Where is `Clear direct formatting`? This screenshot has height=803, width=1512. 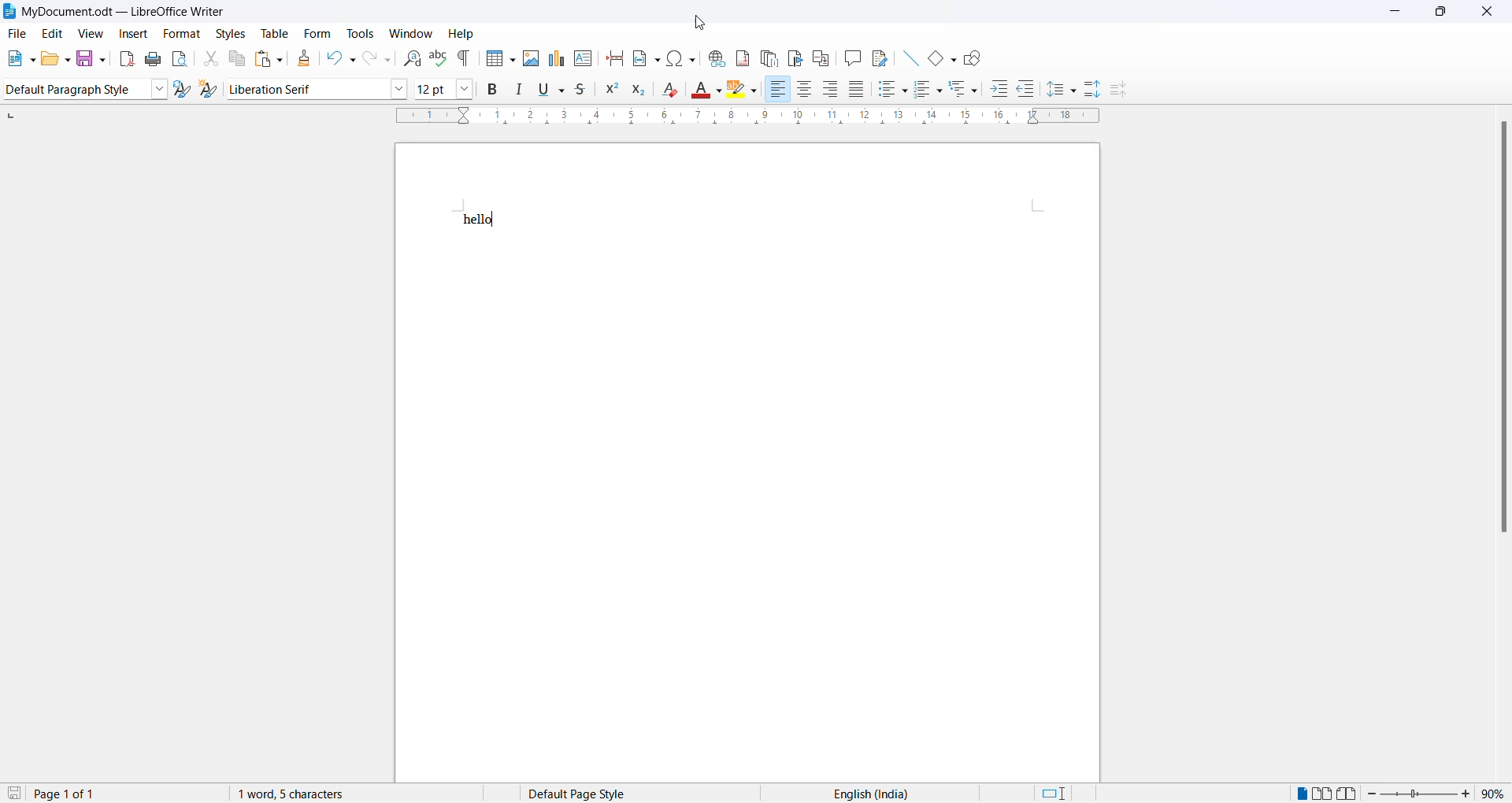 Clear direct formatting is located at coordinates (673, 91).